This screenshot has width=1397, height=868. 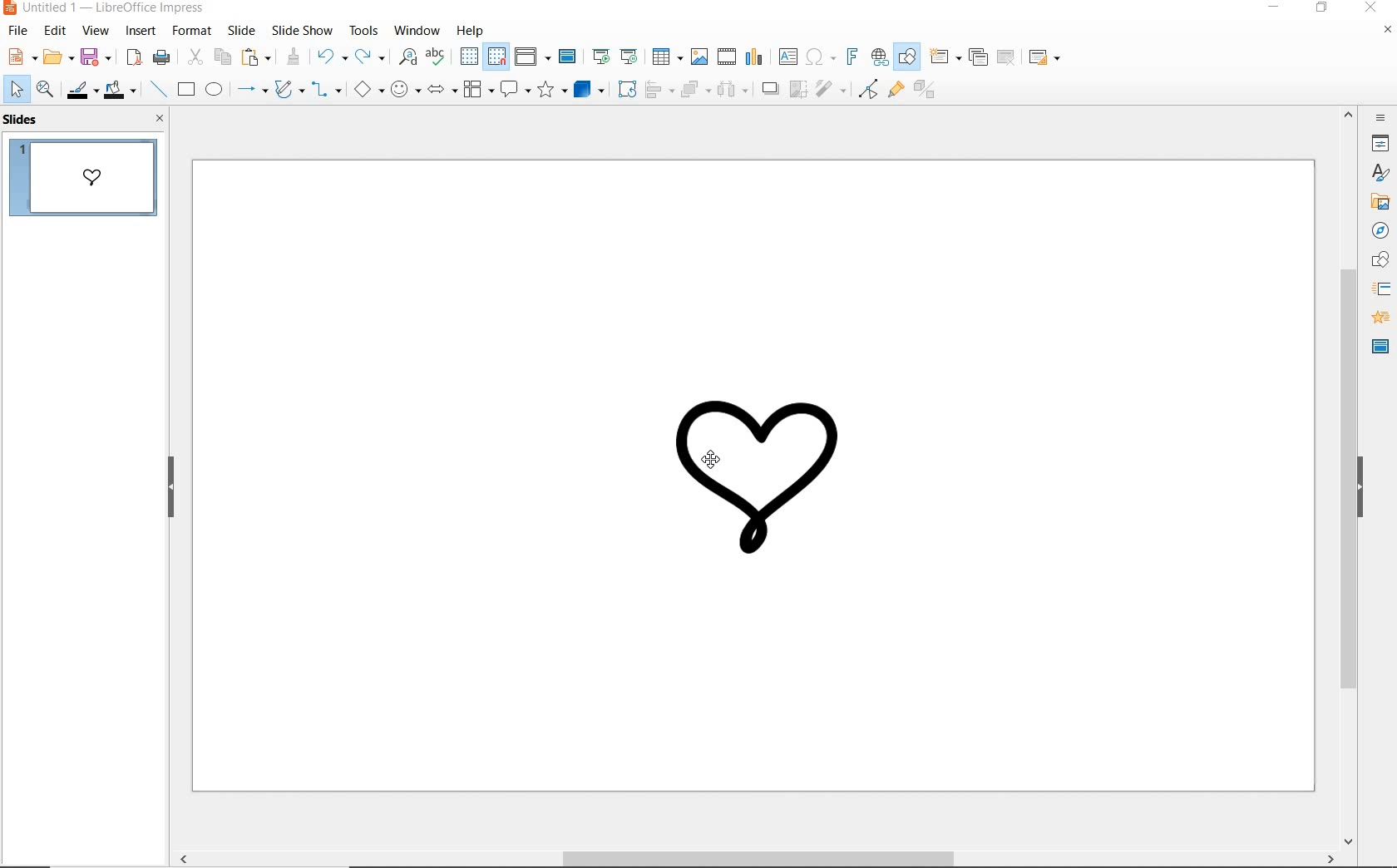 I want to click on symbol shapes, so click(x=406, y=91).